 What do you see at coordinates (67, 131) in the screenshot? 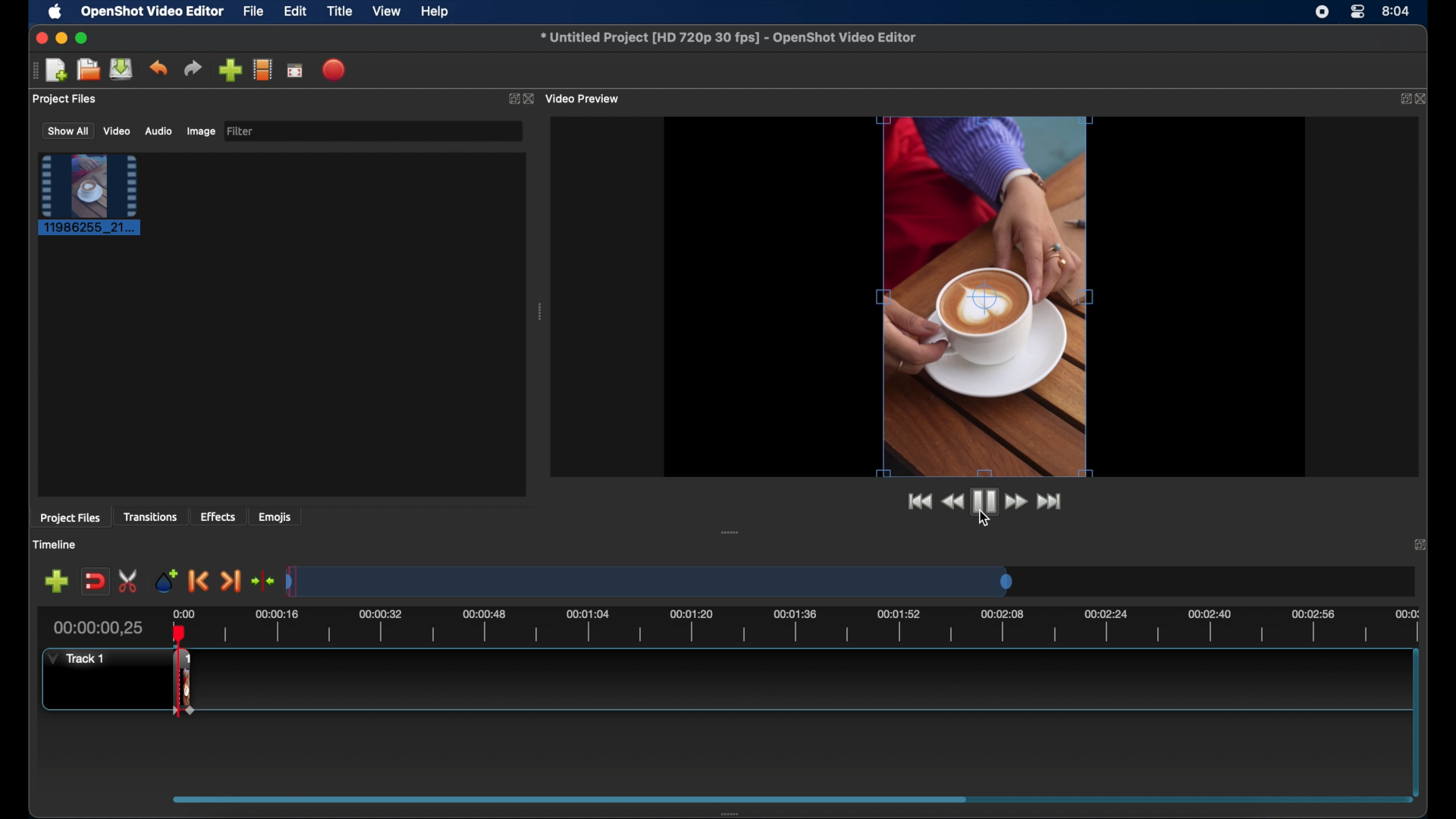
I see `show all` at bounding box center [67, 131].